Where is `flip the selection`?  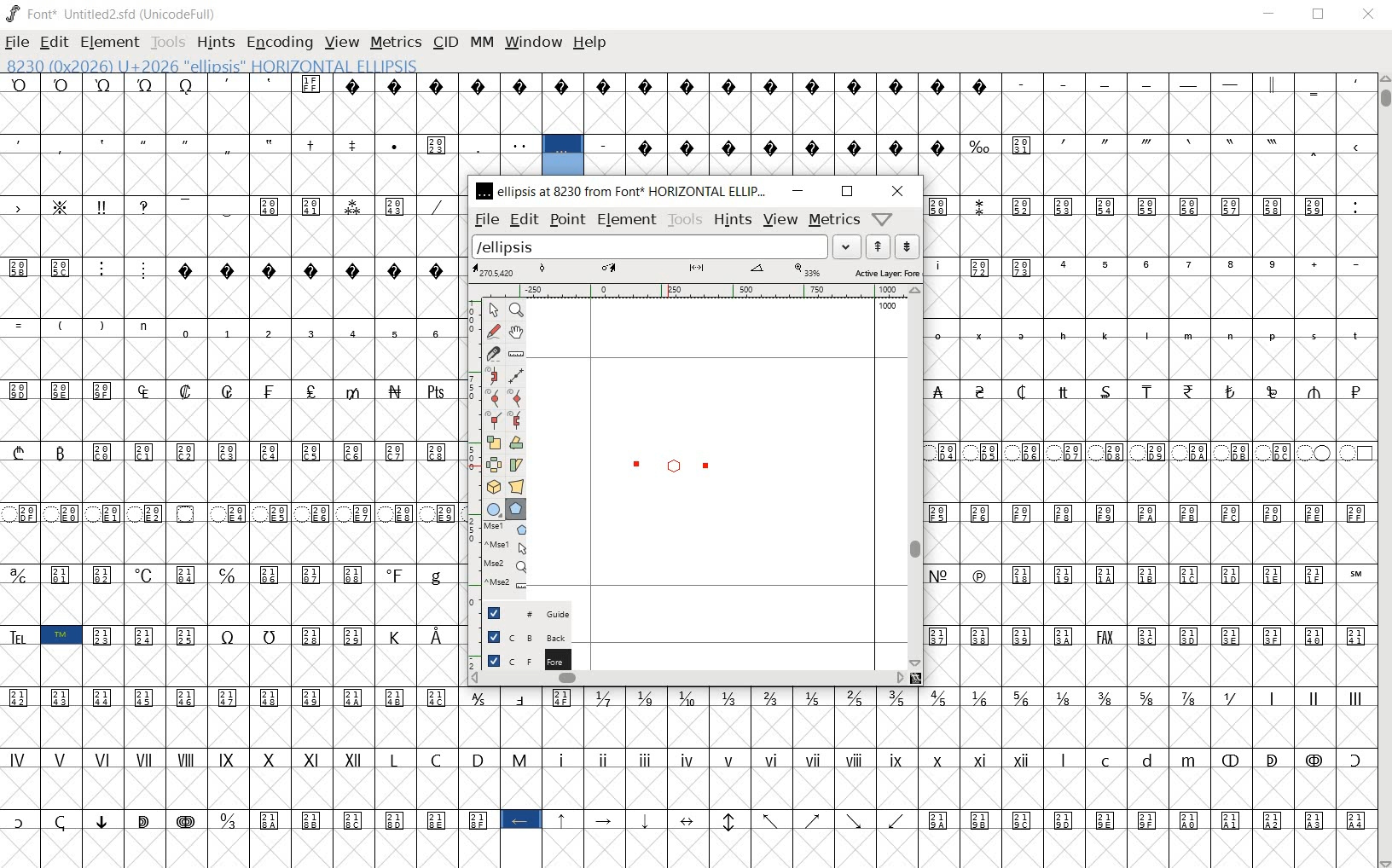 flip the selection is located at coordinates (495, 464).